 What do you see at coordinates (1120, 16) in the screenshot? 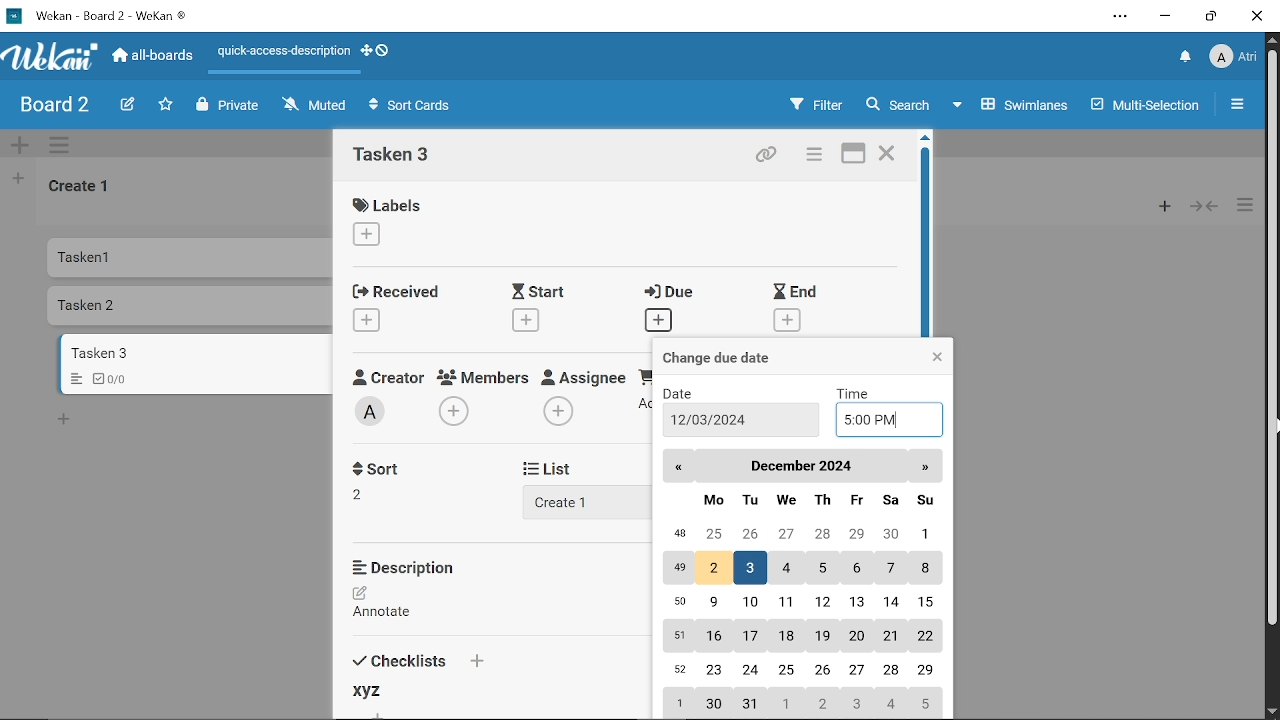
I see `Settings and more` at bounding box center [1120, 16].